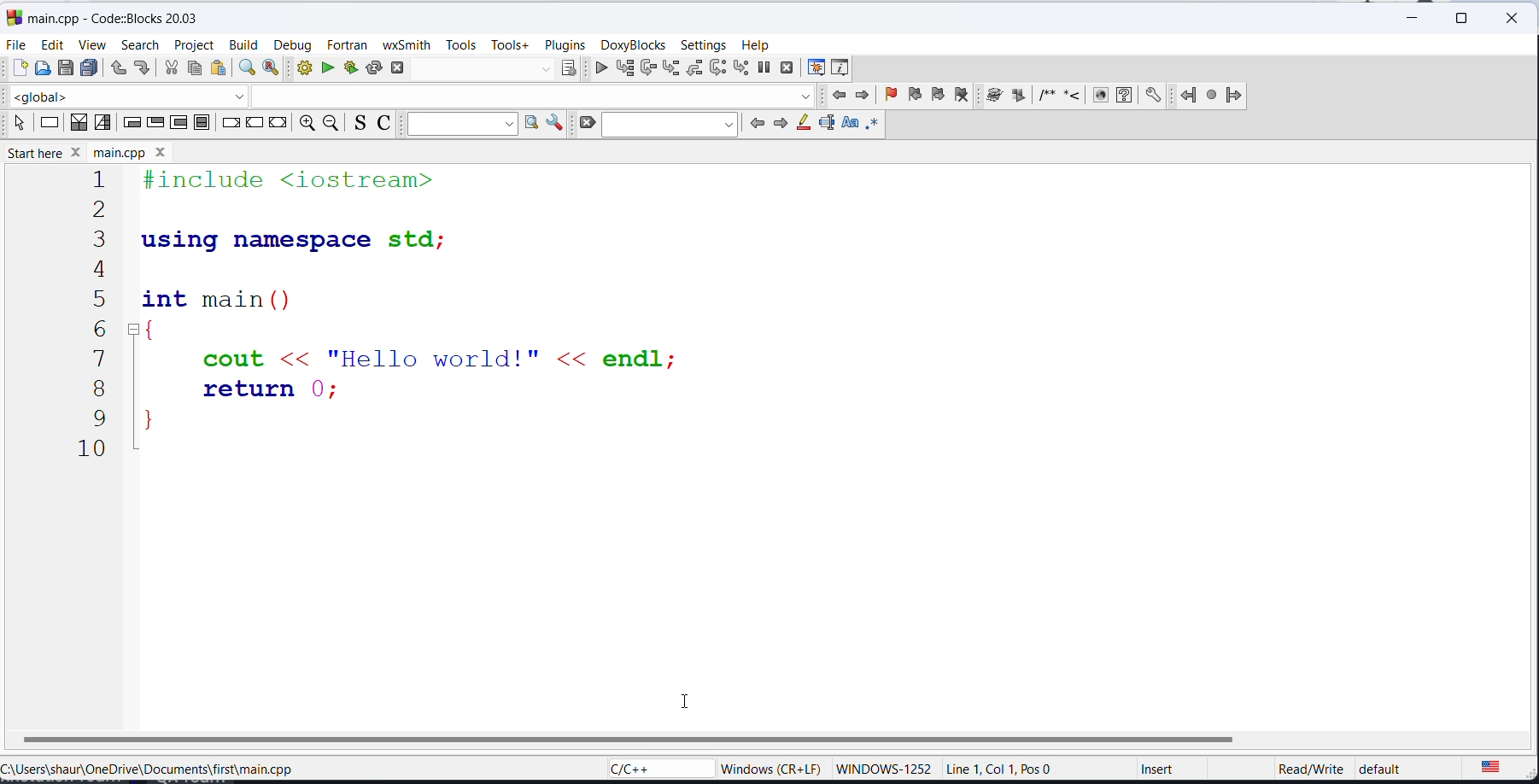 The image size is (1539, 784). What do you see at coordinates (1236, 95) in the screenshot?
I see `jump forward` at bounding box center [1236, 95].